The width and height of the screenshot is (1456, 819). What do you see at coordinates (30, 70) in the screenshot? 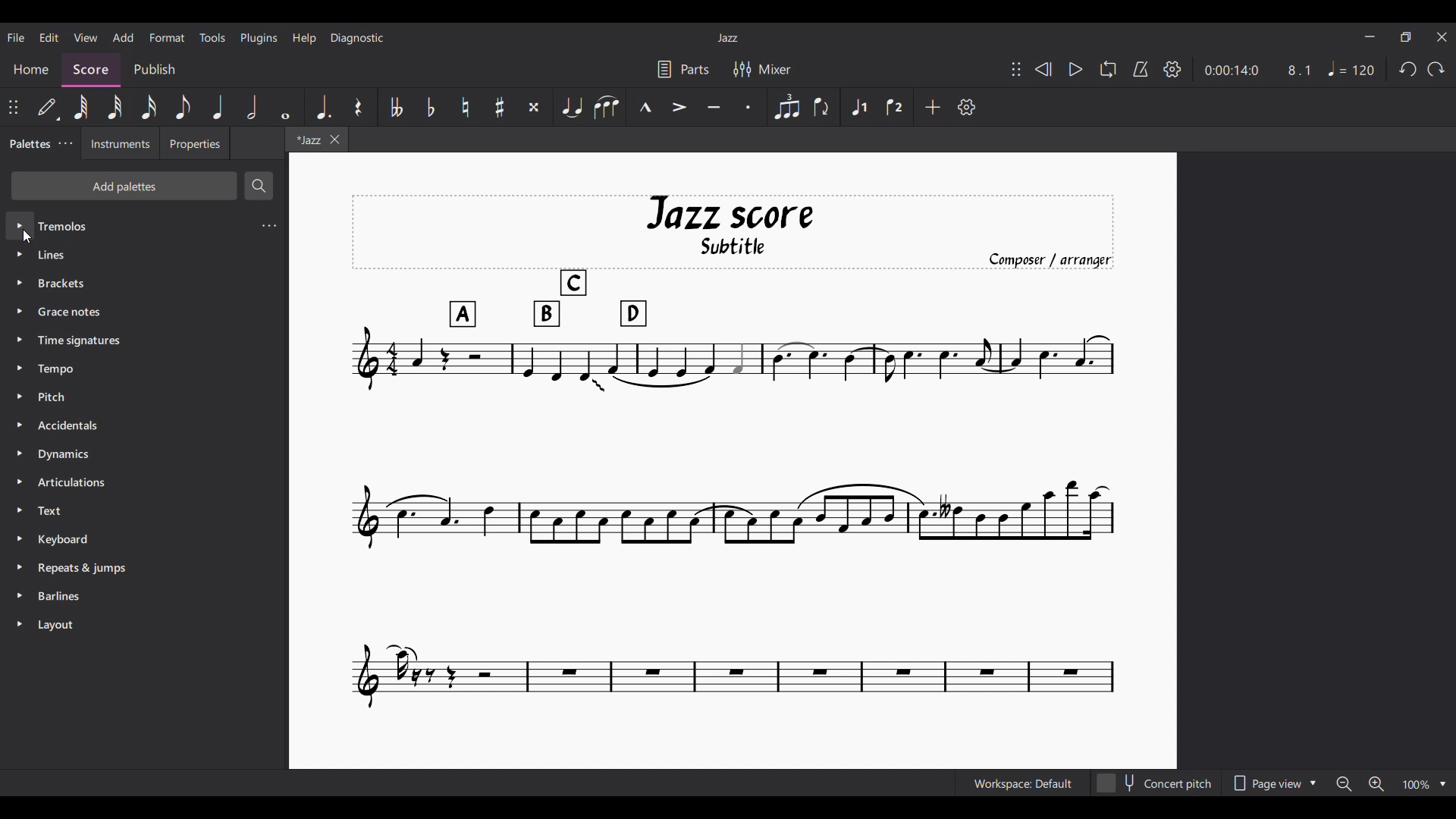
I see `Home` at bounding box center [30, 70].